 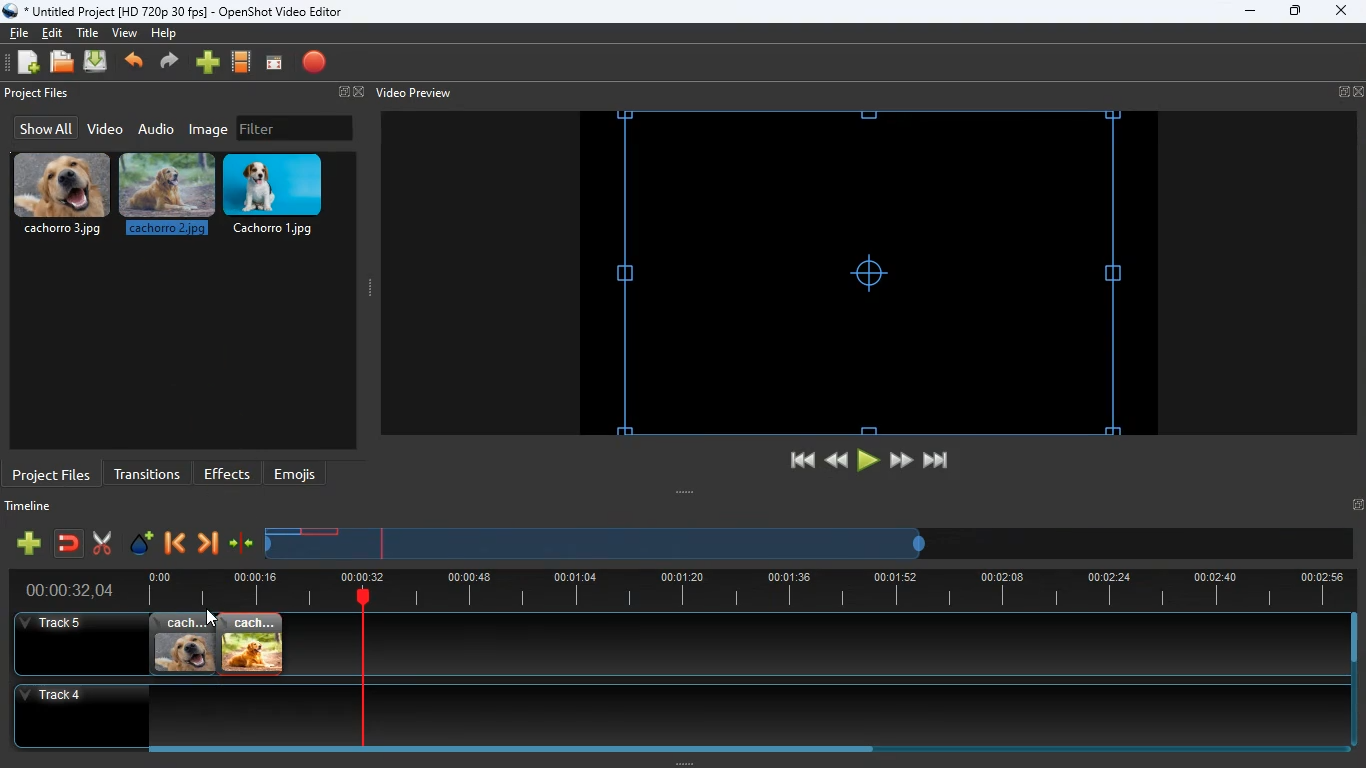 What do you see at coordinates (212, 617) in the screenshot?
I see `cursor` at bounding box center [212, 617].